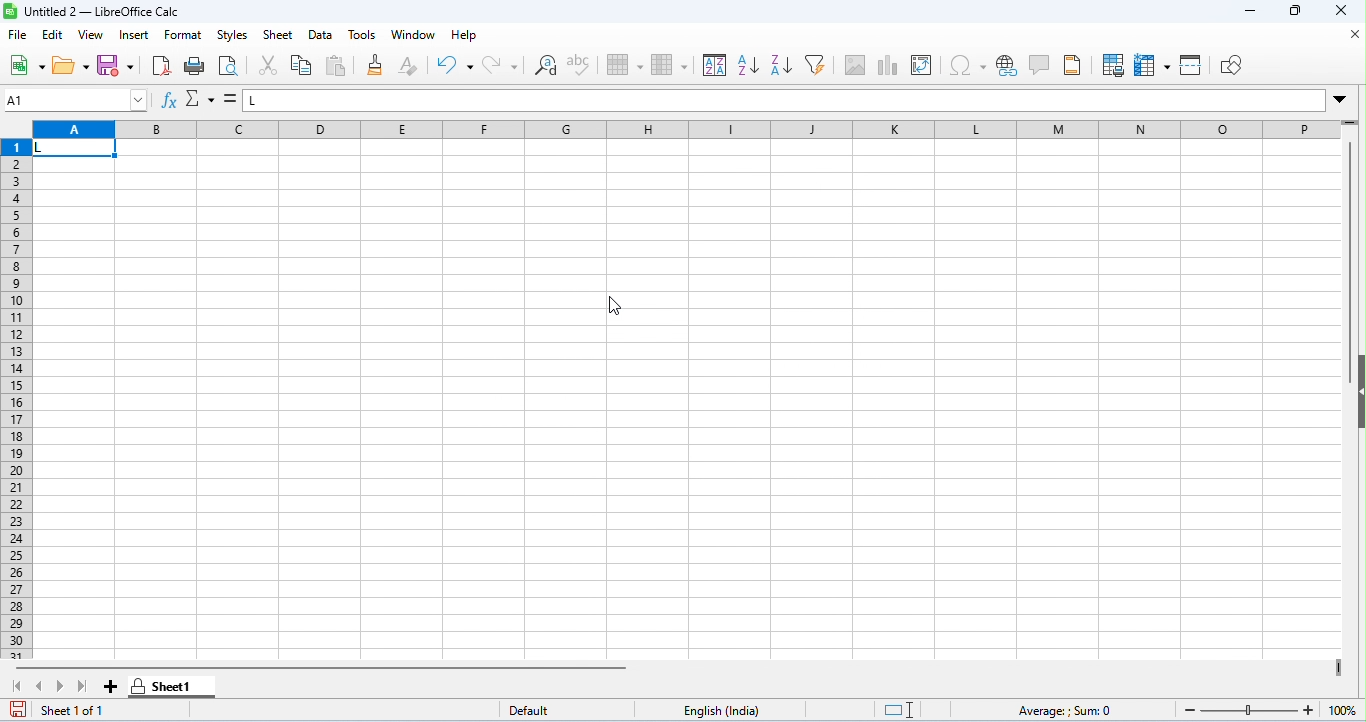 The width and height of the screenshot is (1366, 722). What do you see at coordinates (76, 100) in the screenshot?
I see `selected cell number` at bounding box center [76, 100].